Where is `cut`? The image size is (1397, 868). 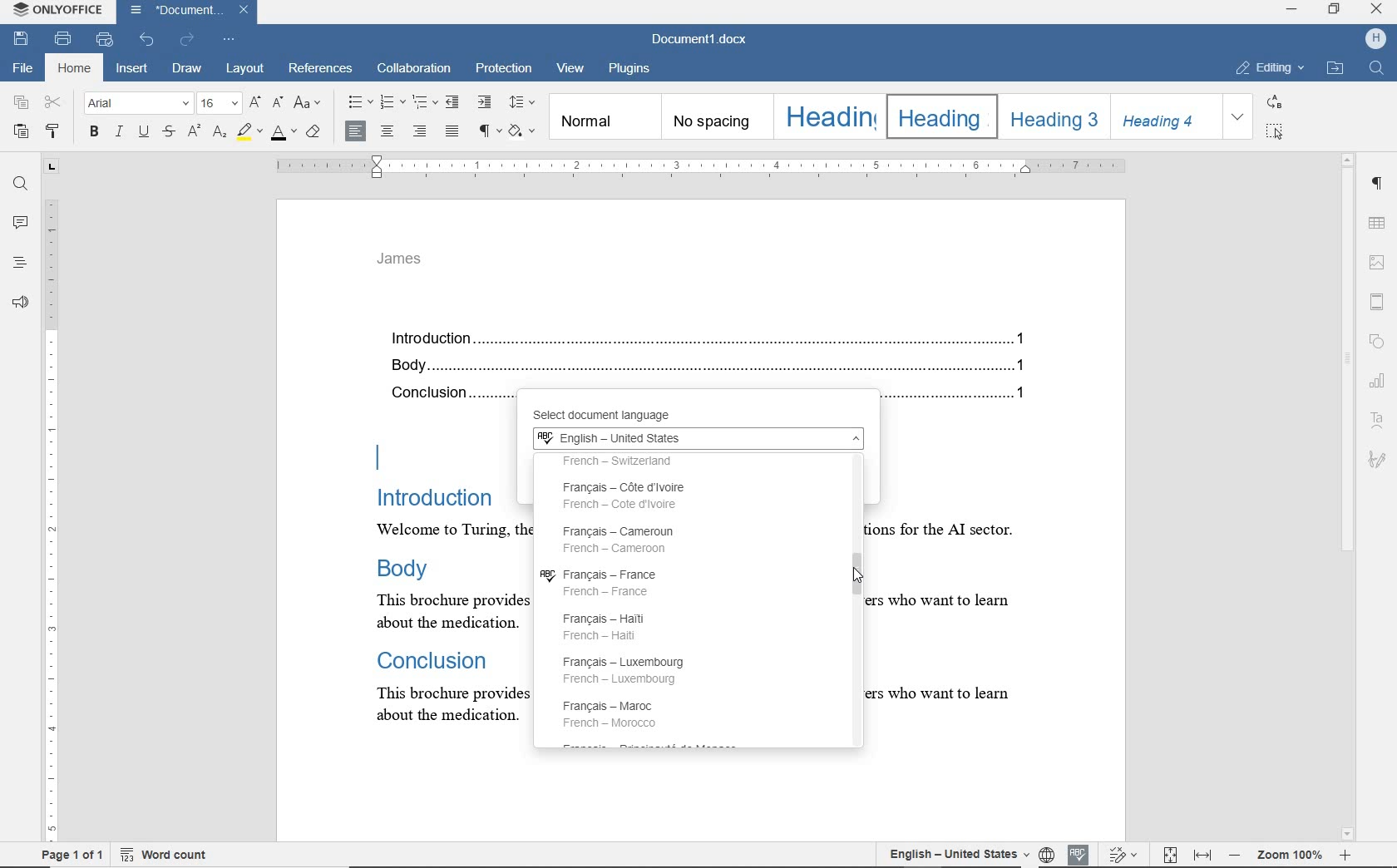
cut is located at coordinates (54, 103).